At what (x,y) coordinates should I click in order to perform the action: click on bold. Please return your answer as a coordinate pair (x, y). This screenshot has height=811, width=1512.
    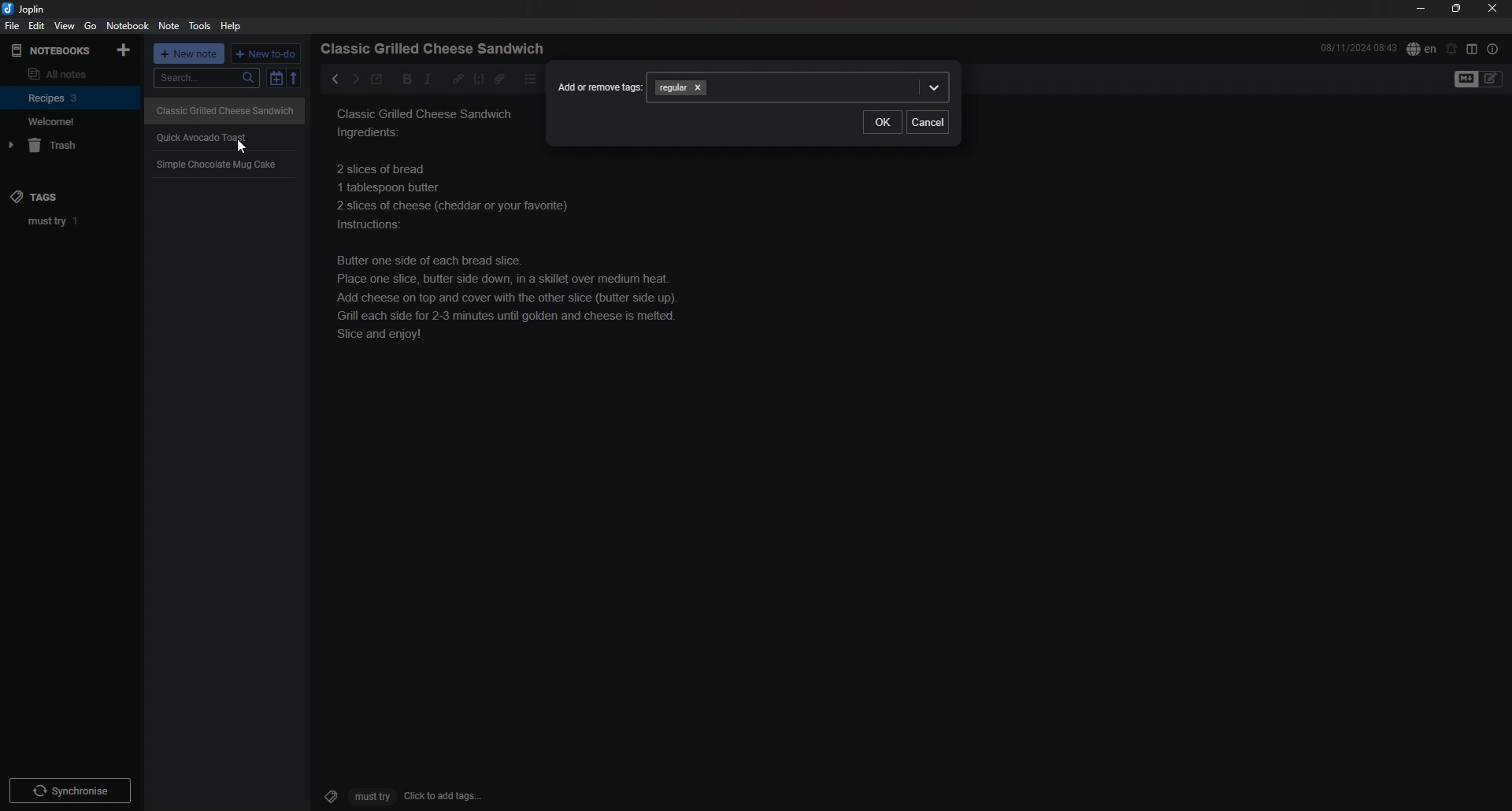
    Looking at the image, I should click on (402, 80).